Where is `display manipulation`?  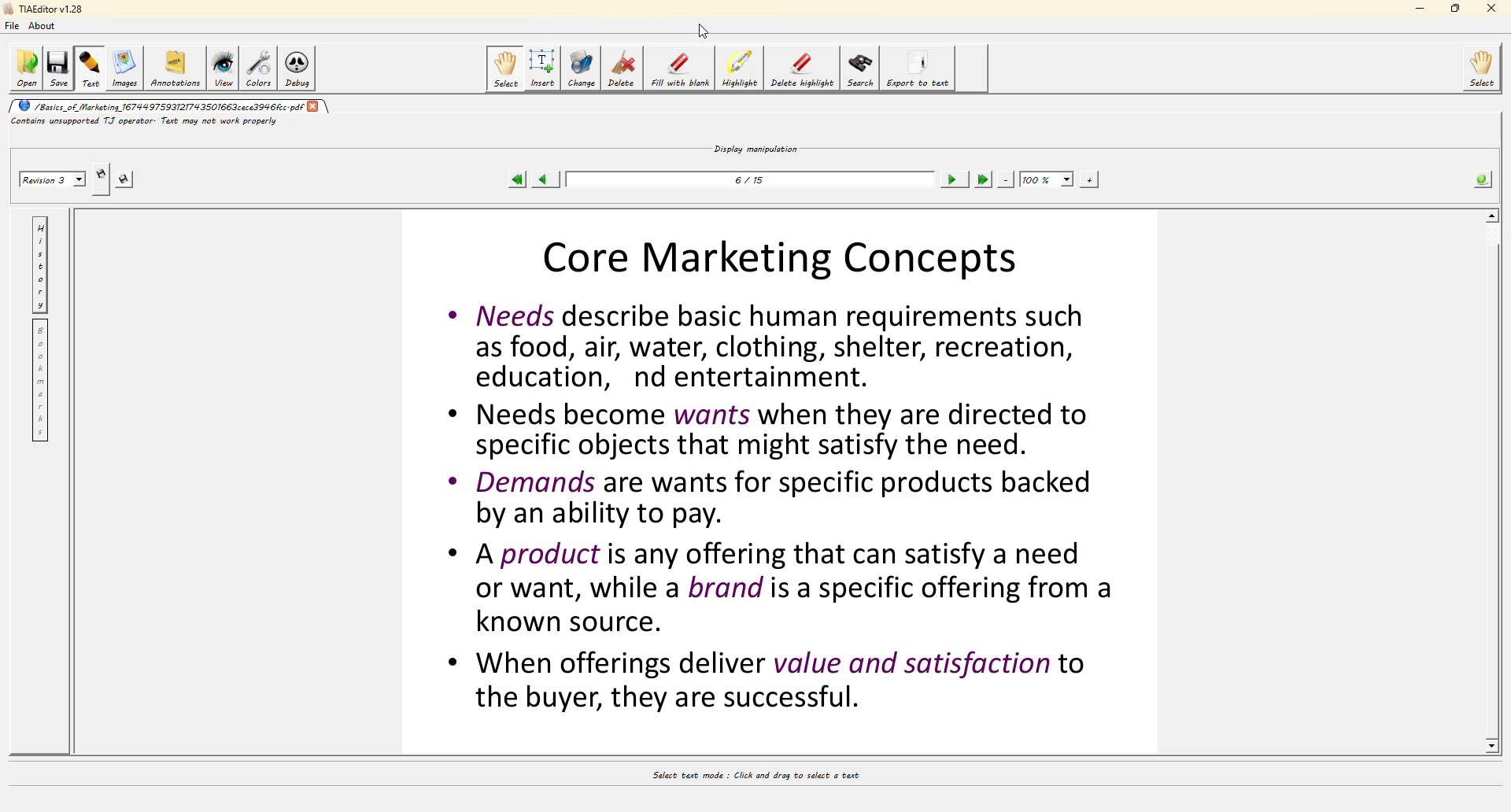
display manipulation is located at coordinates (757, 146).